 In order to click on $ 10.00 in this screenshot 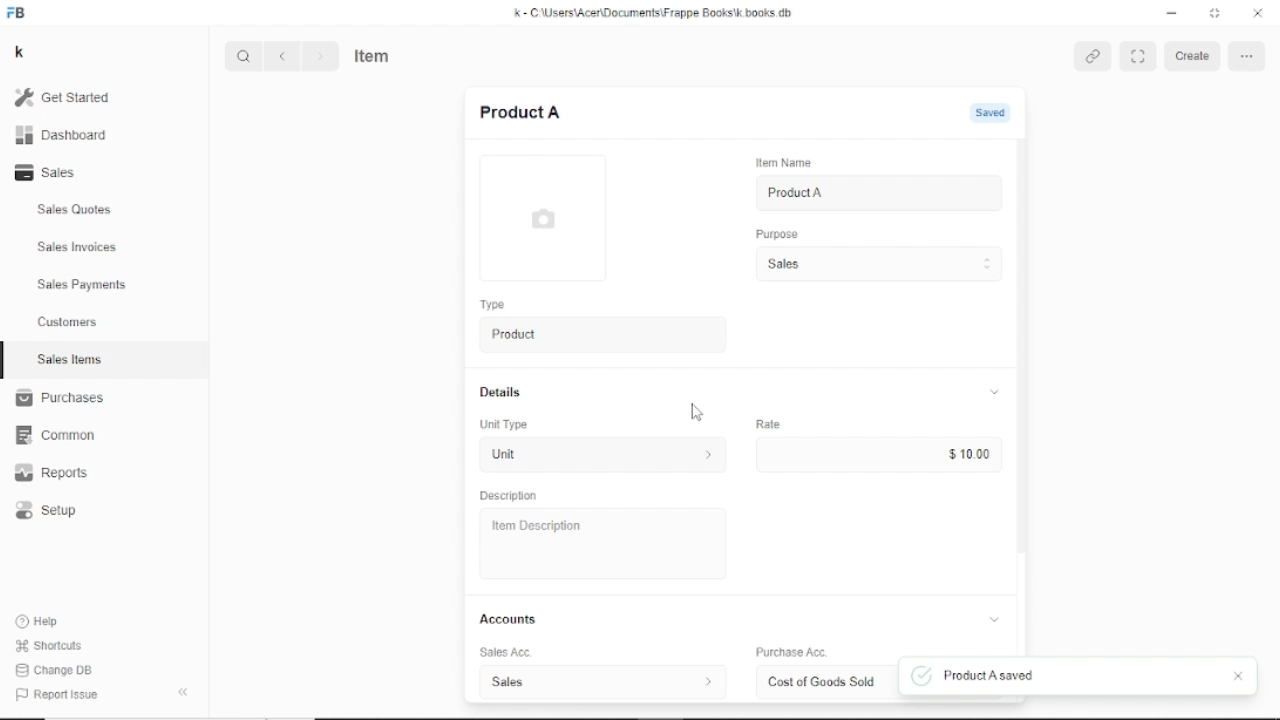, I will do `click(968, 454)`.